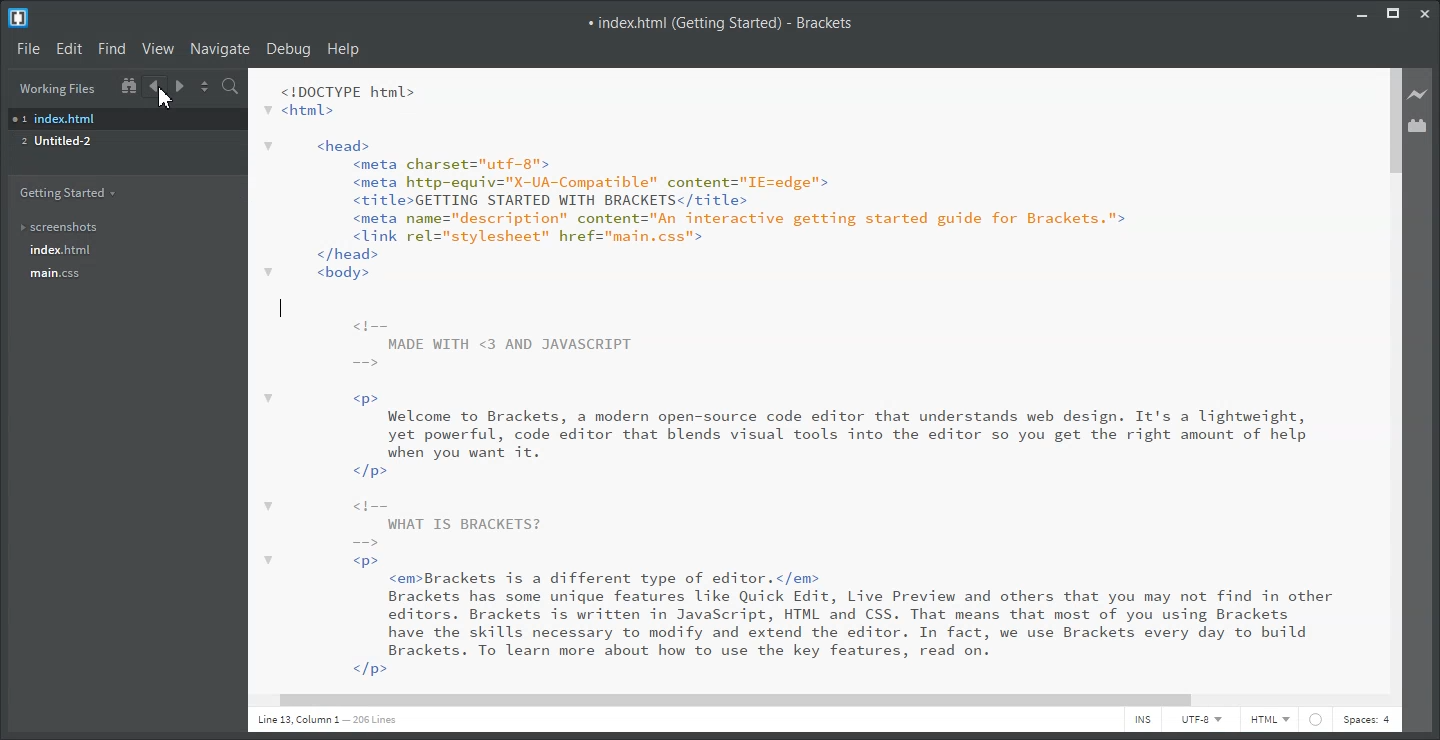  Describe the element at coordinates (159, 48) in the screenshot. I see `View` at that location.